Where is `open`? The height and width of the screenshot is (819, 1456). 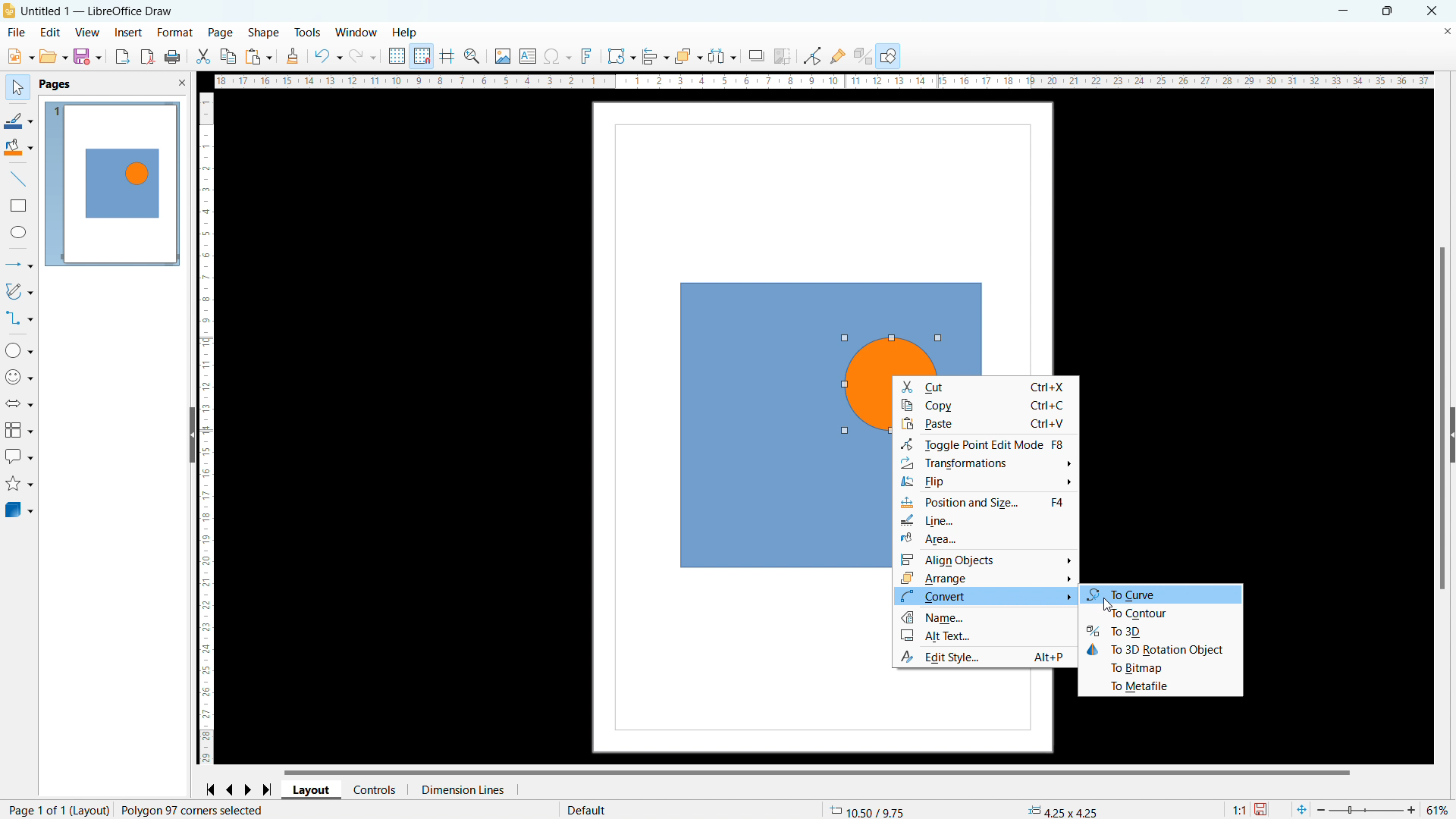 open is located at coordinates (20, 56).